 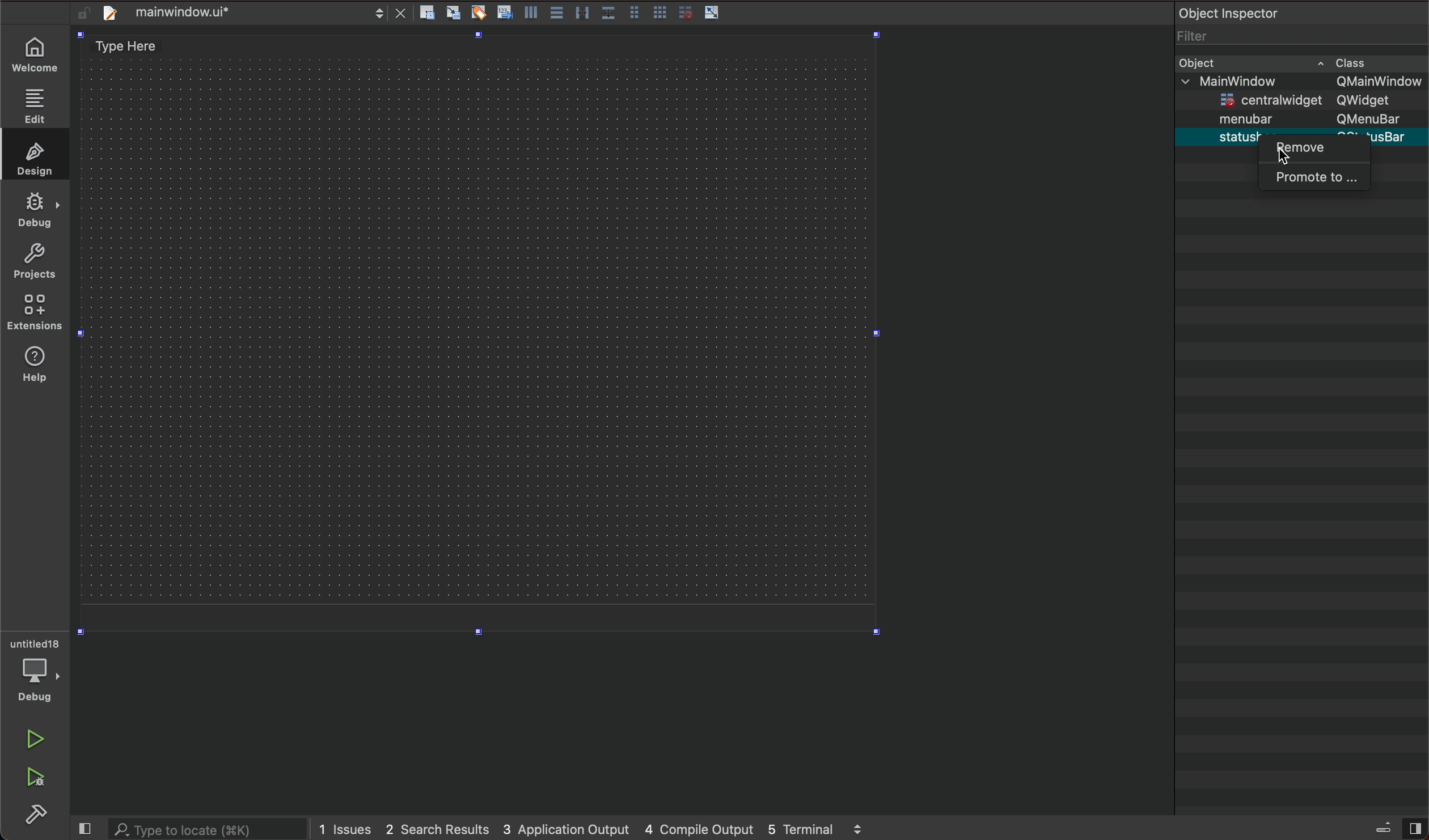 What do you see at coordinates (34, 813) in the screenshot?
I see `build` at bounding box center [34, 813].